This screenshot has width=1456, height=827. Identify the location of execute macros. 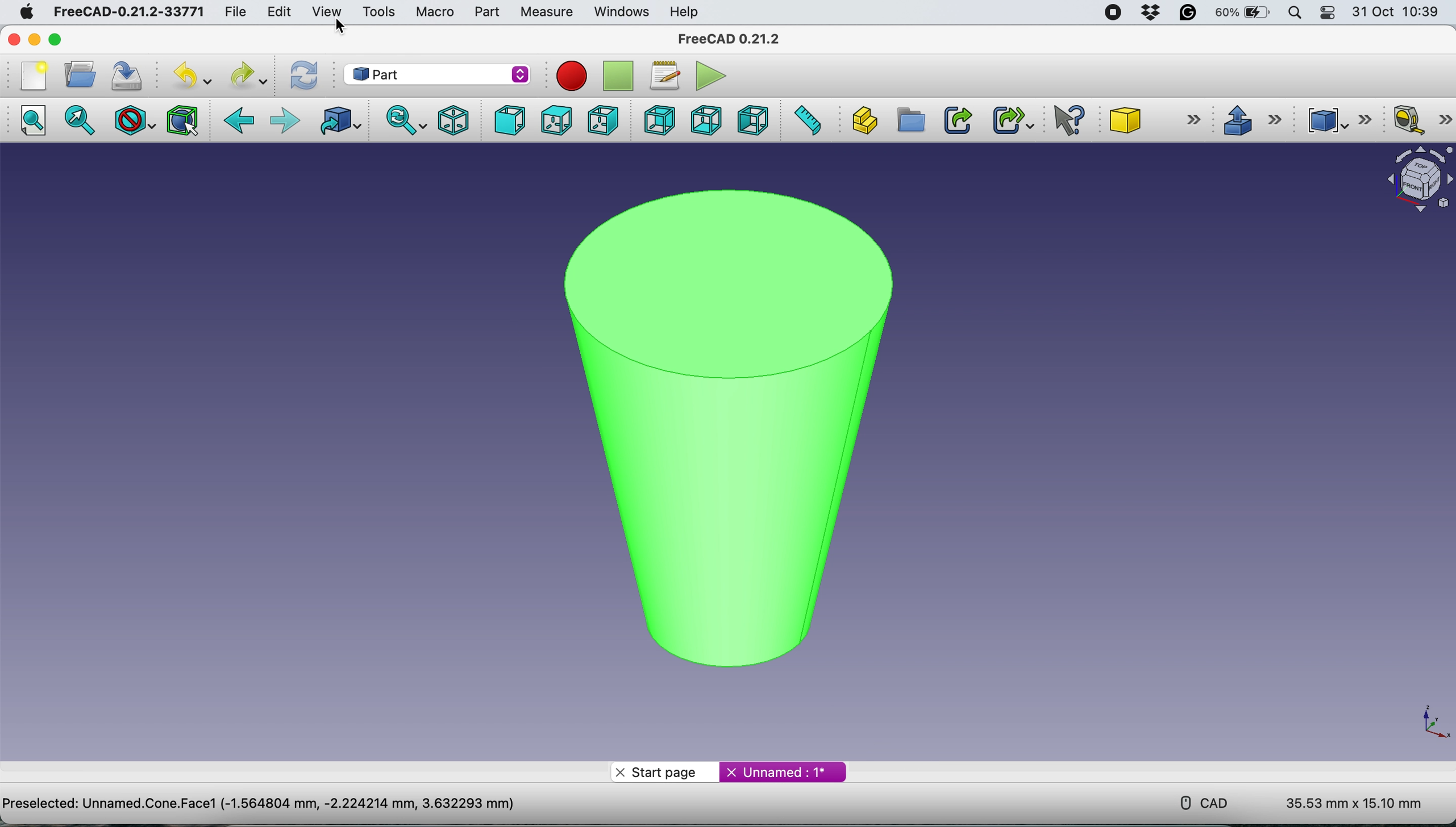
(708, 76).